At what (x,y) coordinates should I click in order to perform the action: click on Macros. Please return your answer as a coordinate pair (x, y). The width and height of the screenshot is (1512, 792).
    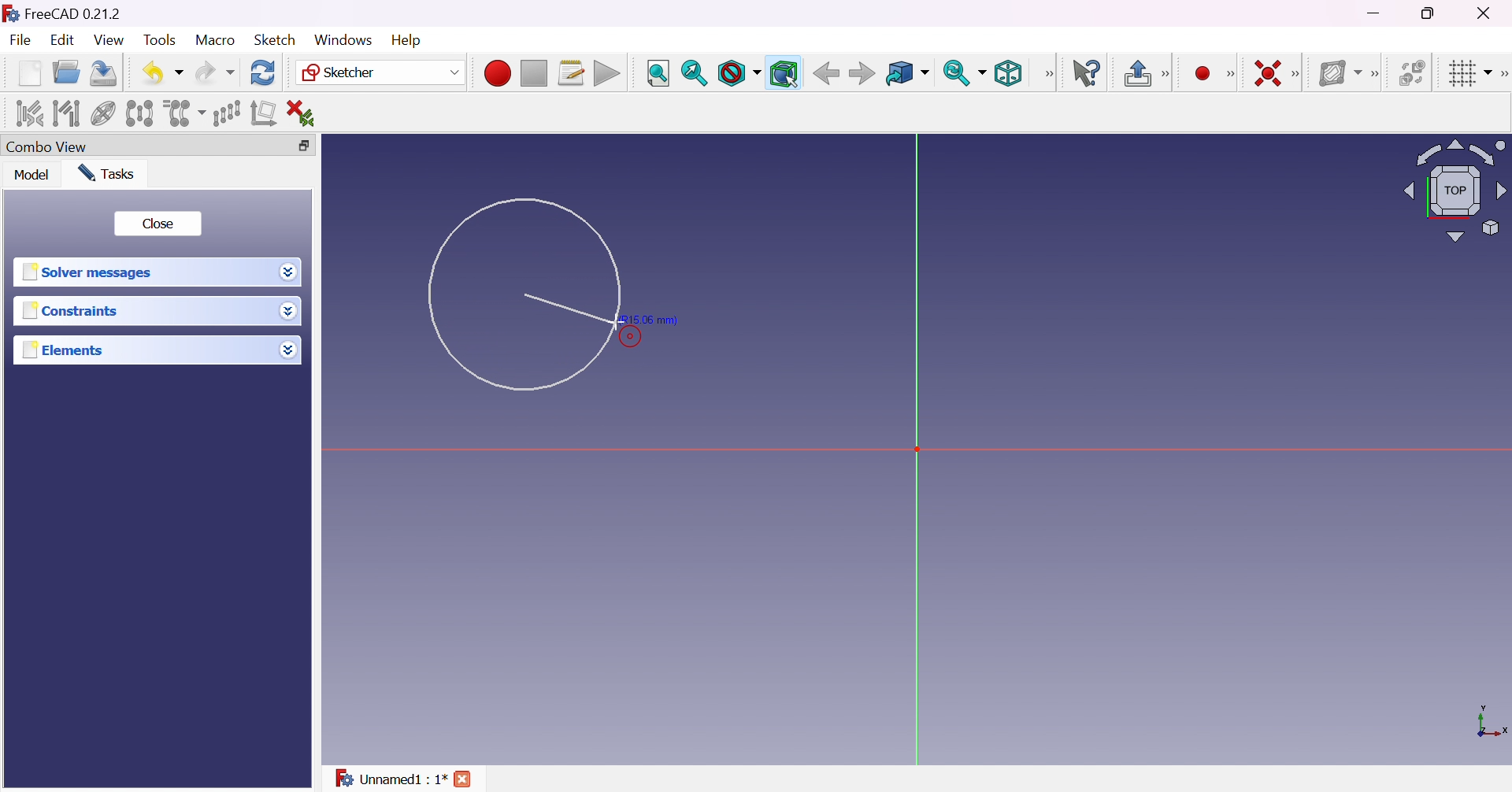
    Looking at the image, I should click on (572, 73).